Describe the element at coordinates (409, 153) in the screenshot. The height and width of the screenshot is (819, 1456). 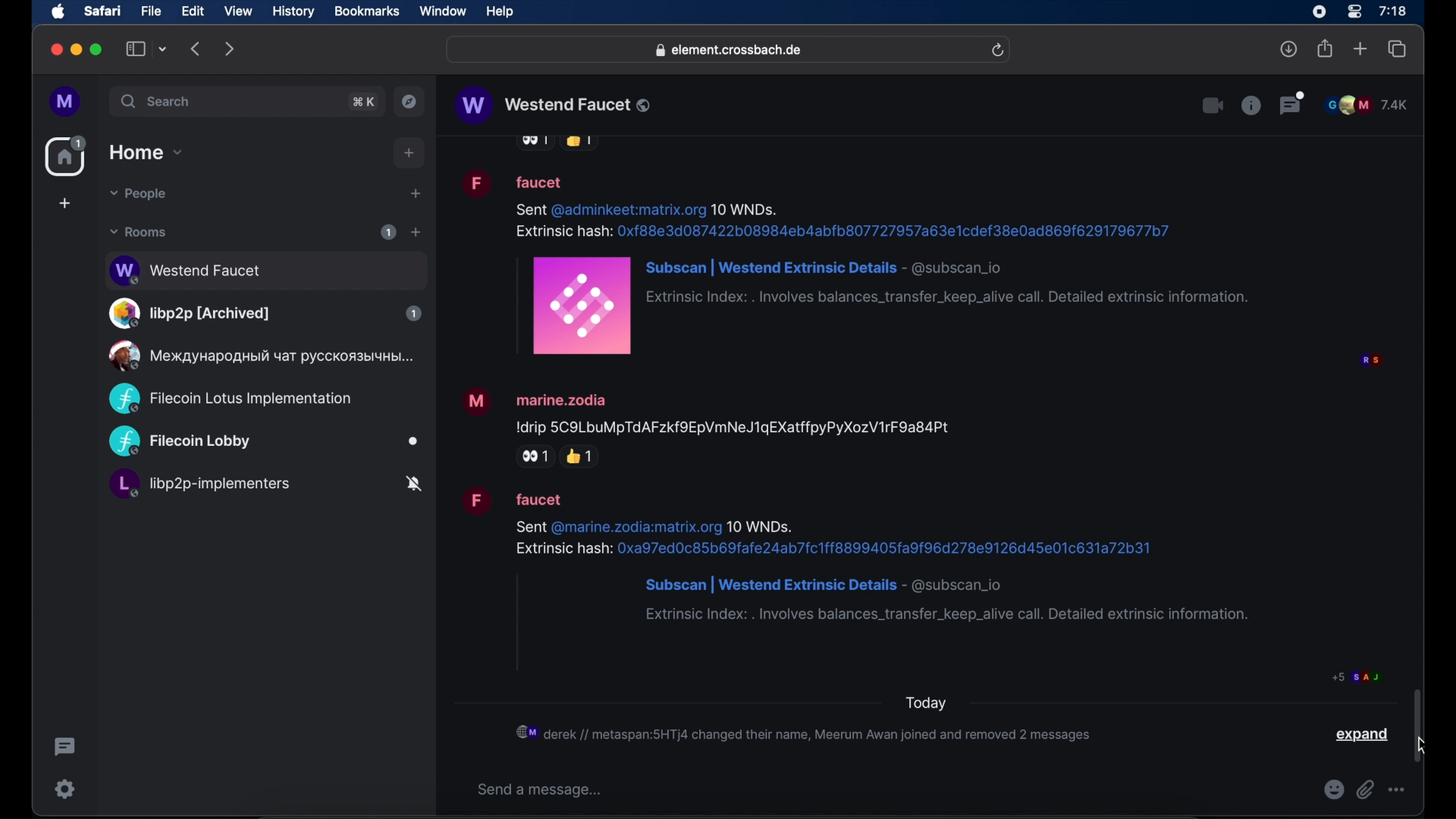
I see `add` at that location.